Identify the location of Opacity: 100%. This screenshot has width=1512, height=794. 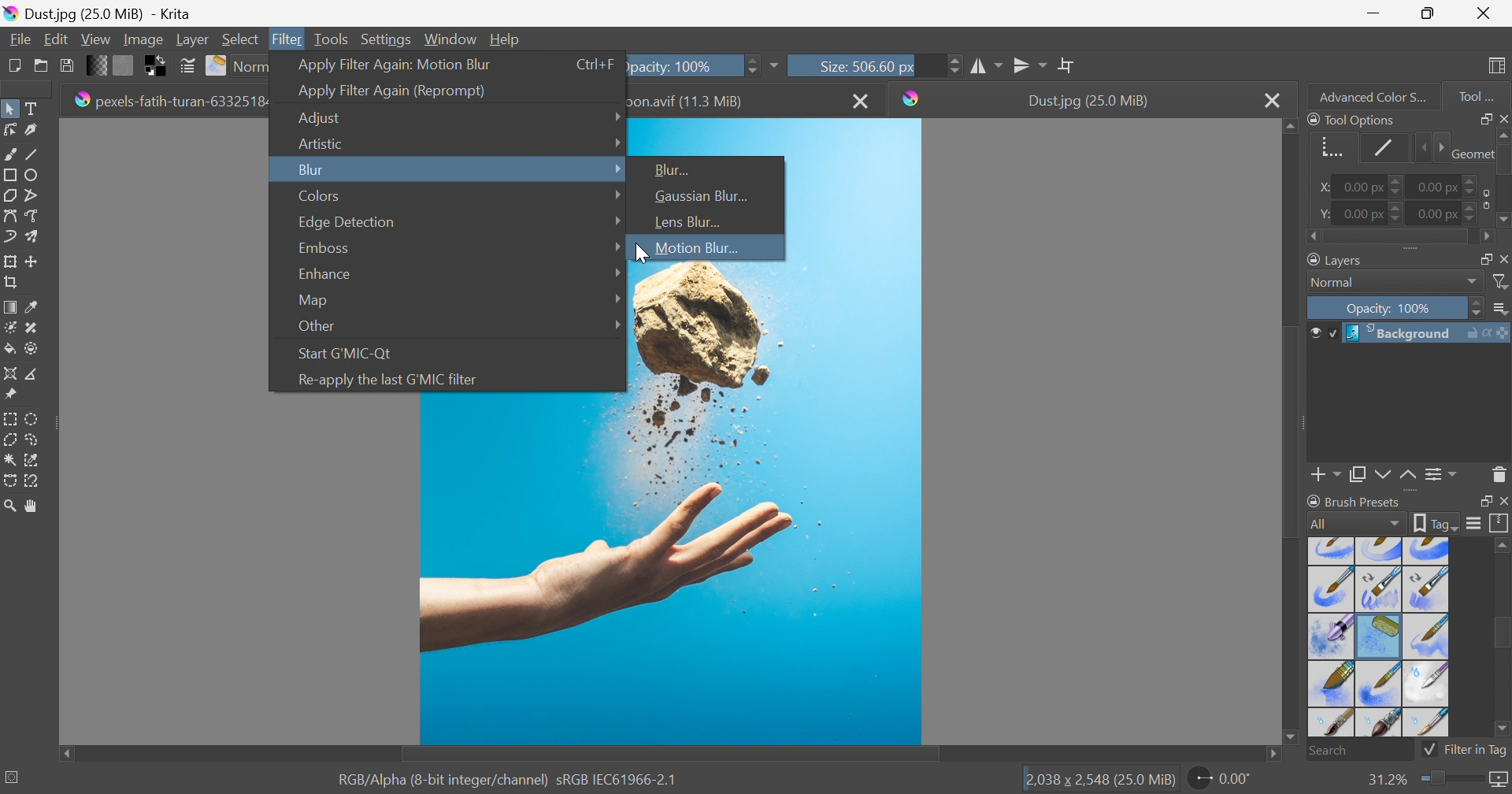
(683, 64).